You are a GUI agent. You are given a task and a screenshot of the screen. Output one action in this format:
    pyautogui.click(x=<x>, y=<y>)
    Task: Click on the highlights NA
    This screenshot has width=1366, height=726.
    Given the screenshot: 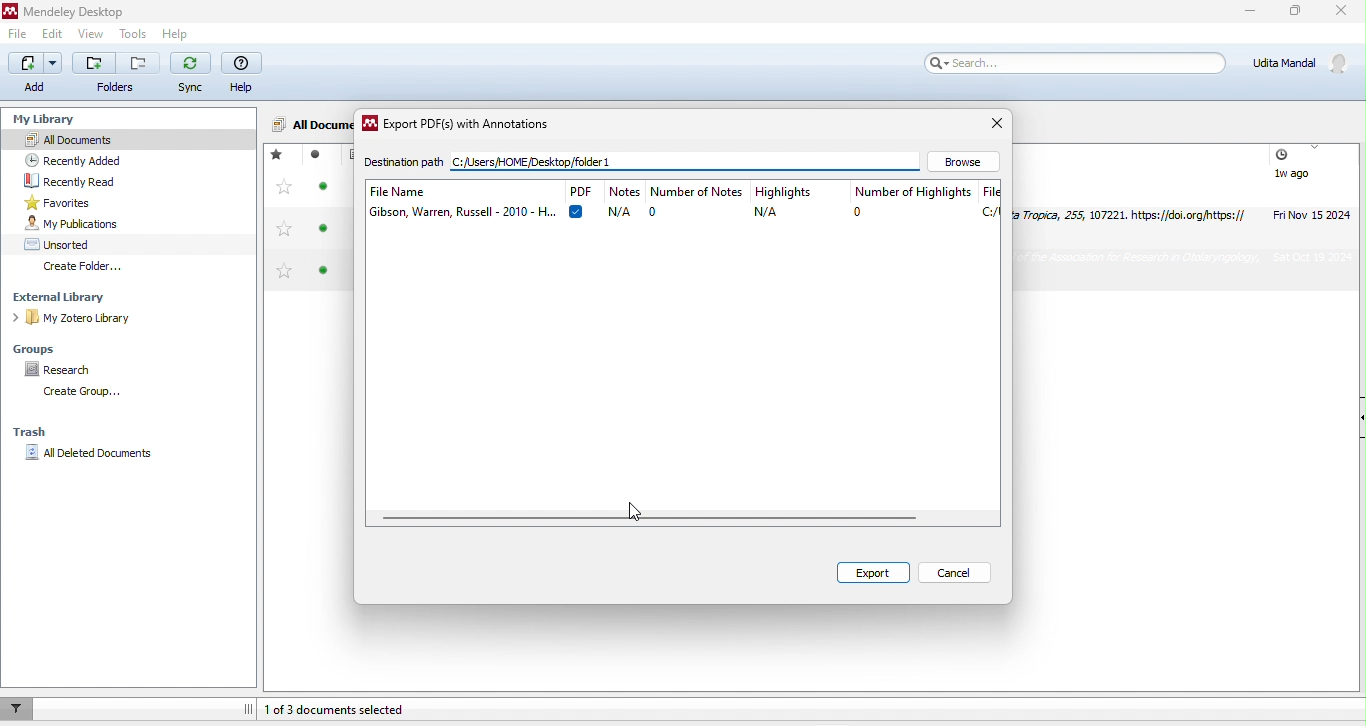 What is the action you would take?
    pyautogui.click(x=796, y=202)
    